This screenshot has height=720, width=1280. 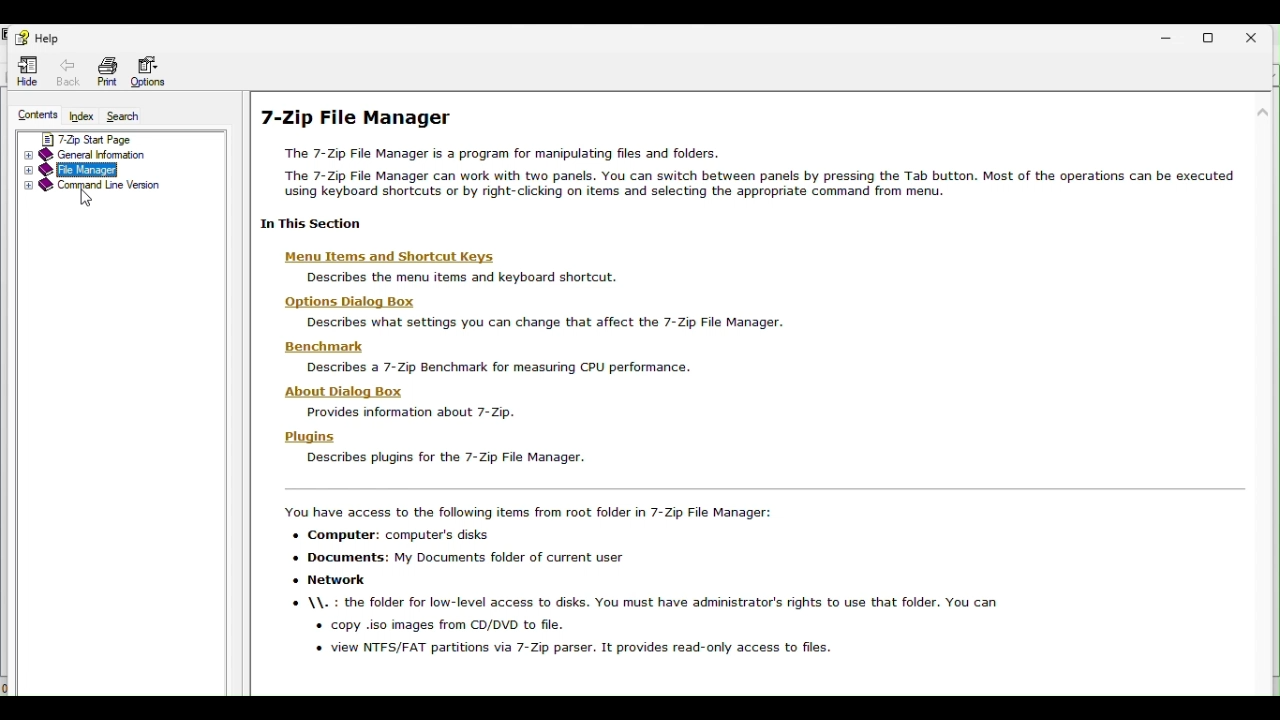 I want to click on Benchmark, so click(x=325, y=345).